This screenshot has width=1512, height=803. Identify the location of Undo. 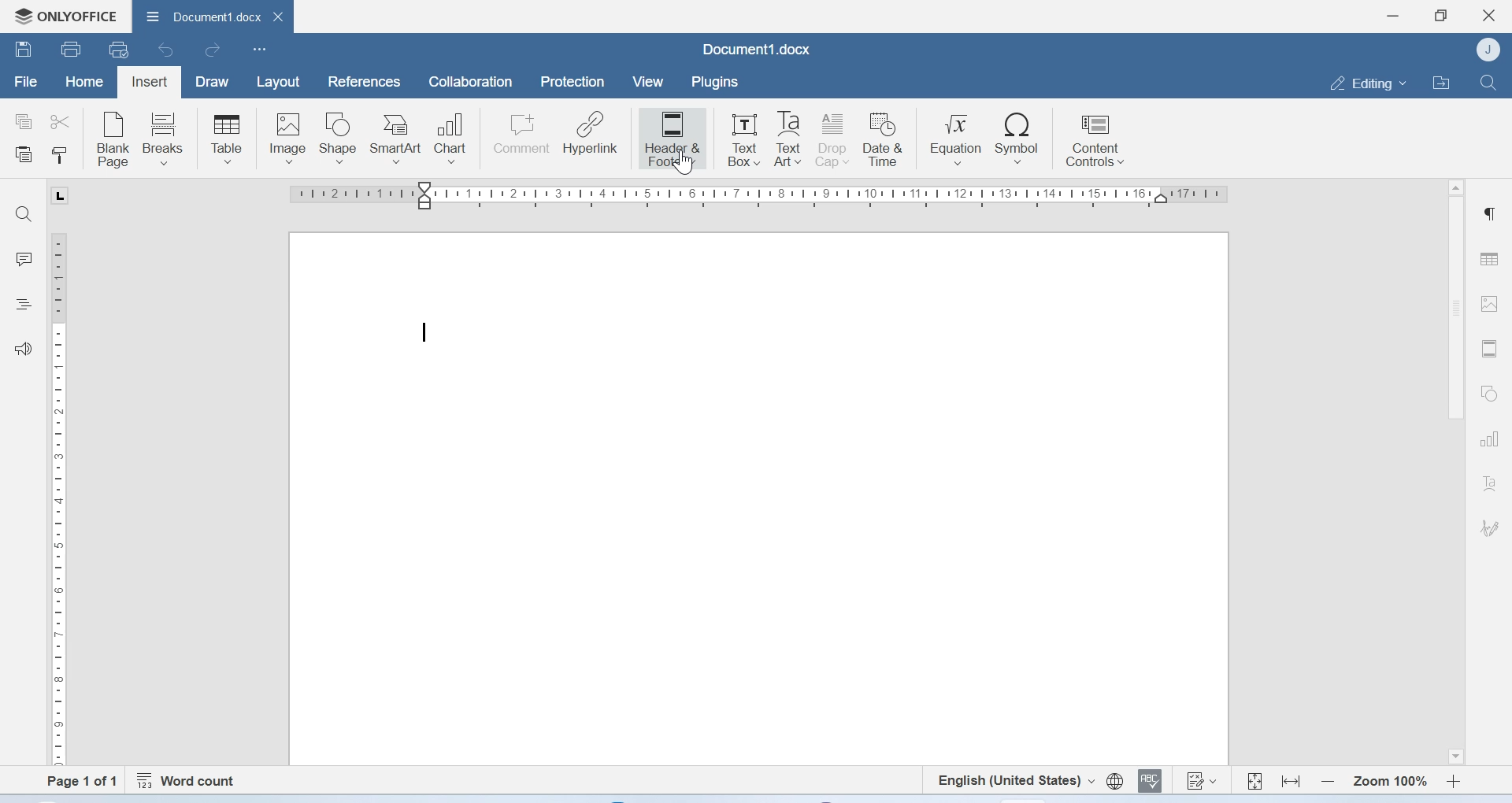
(168, 51).